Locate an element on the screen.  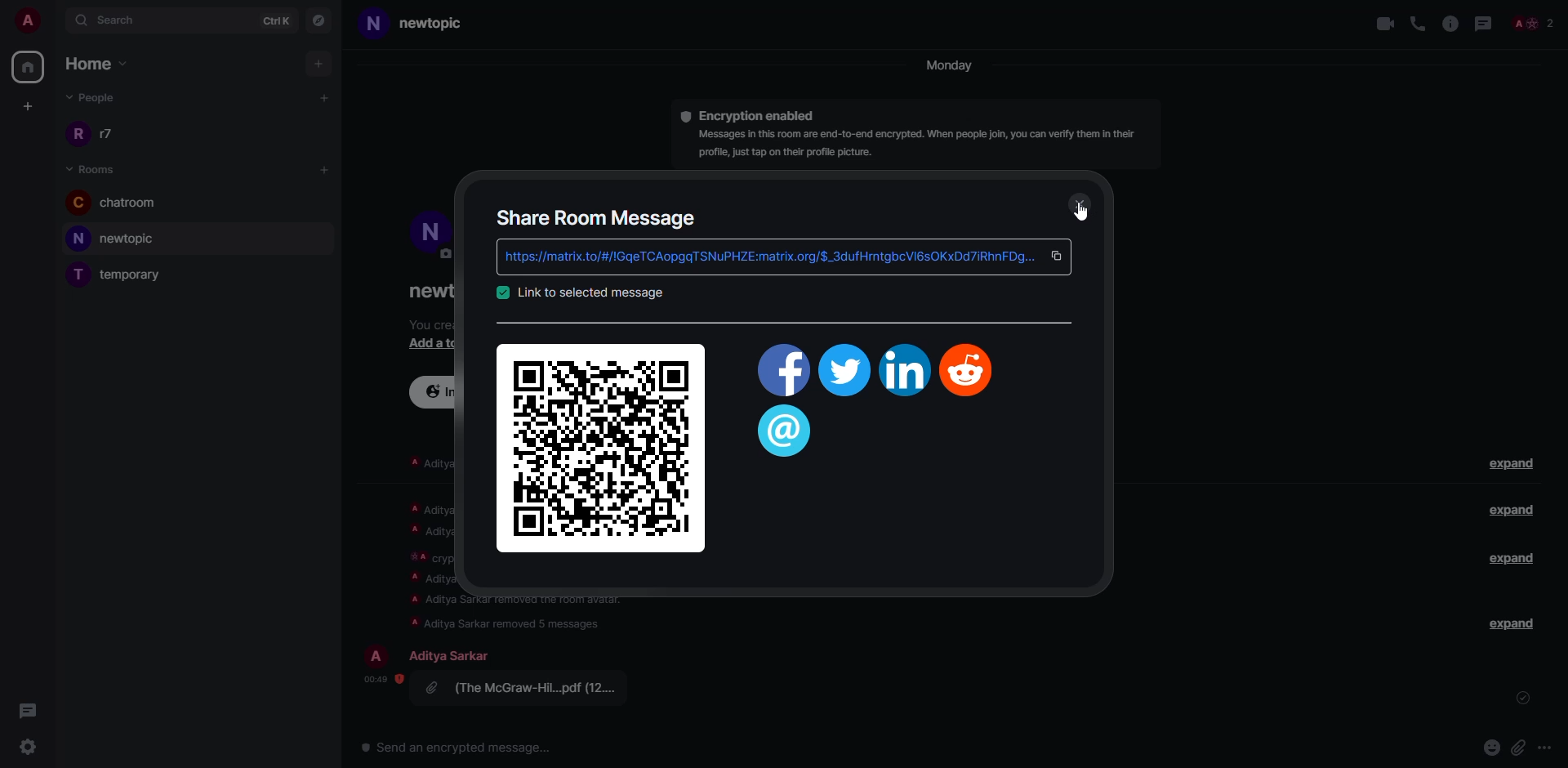
add is located at coordinates (326, 96).